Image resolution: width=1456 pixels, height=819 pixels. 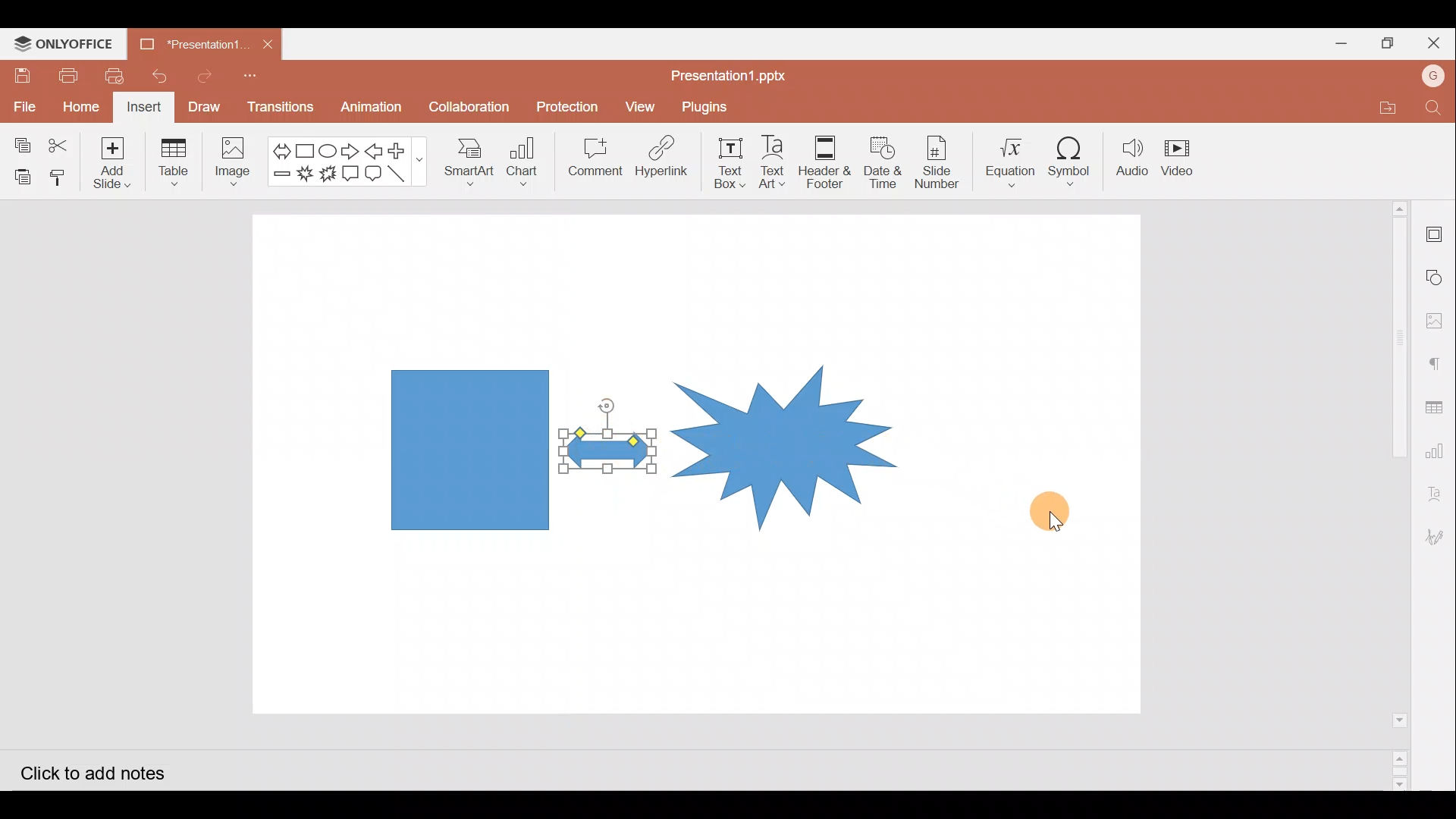 I want to click on Chart settings, so click(x=1439, y=449).